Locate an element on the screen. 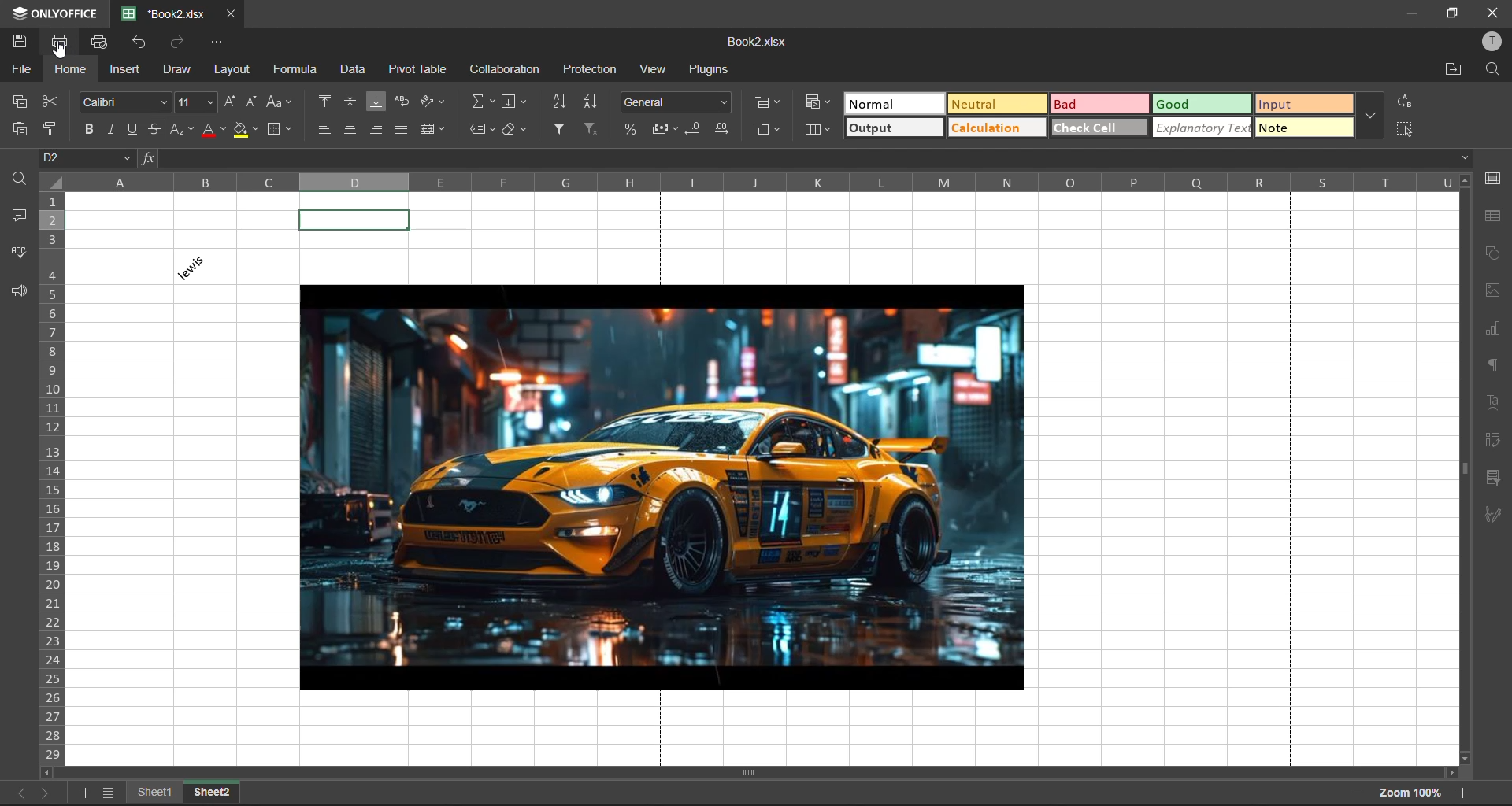 This screenshot has height=806, width=1512. profile is located at coordinates (1493, 43).